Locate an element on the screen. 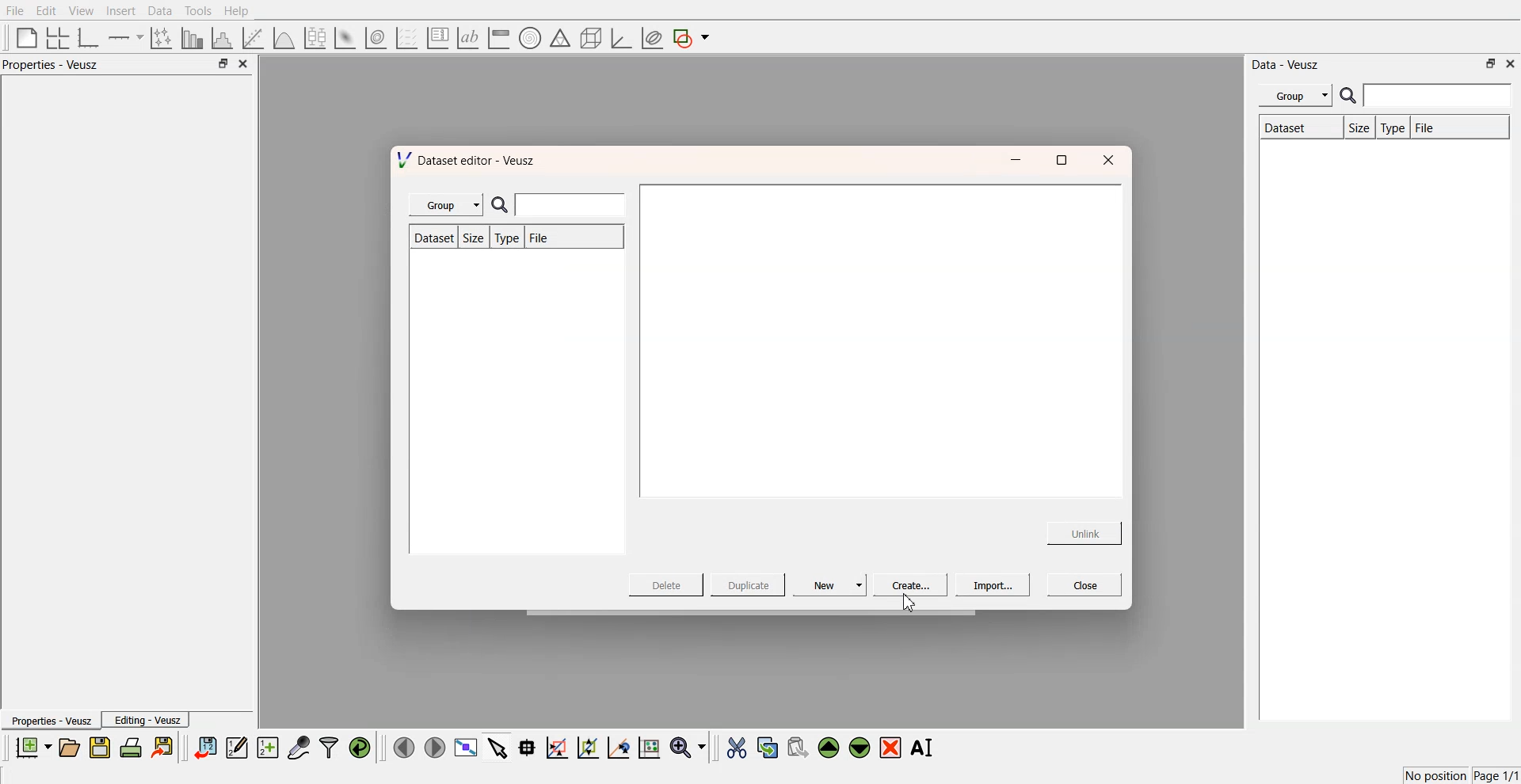  zoom out the graph axes is located at coordinates (586, 747).